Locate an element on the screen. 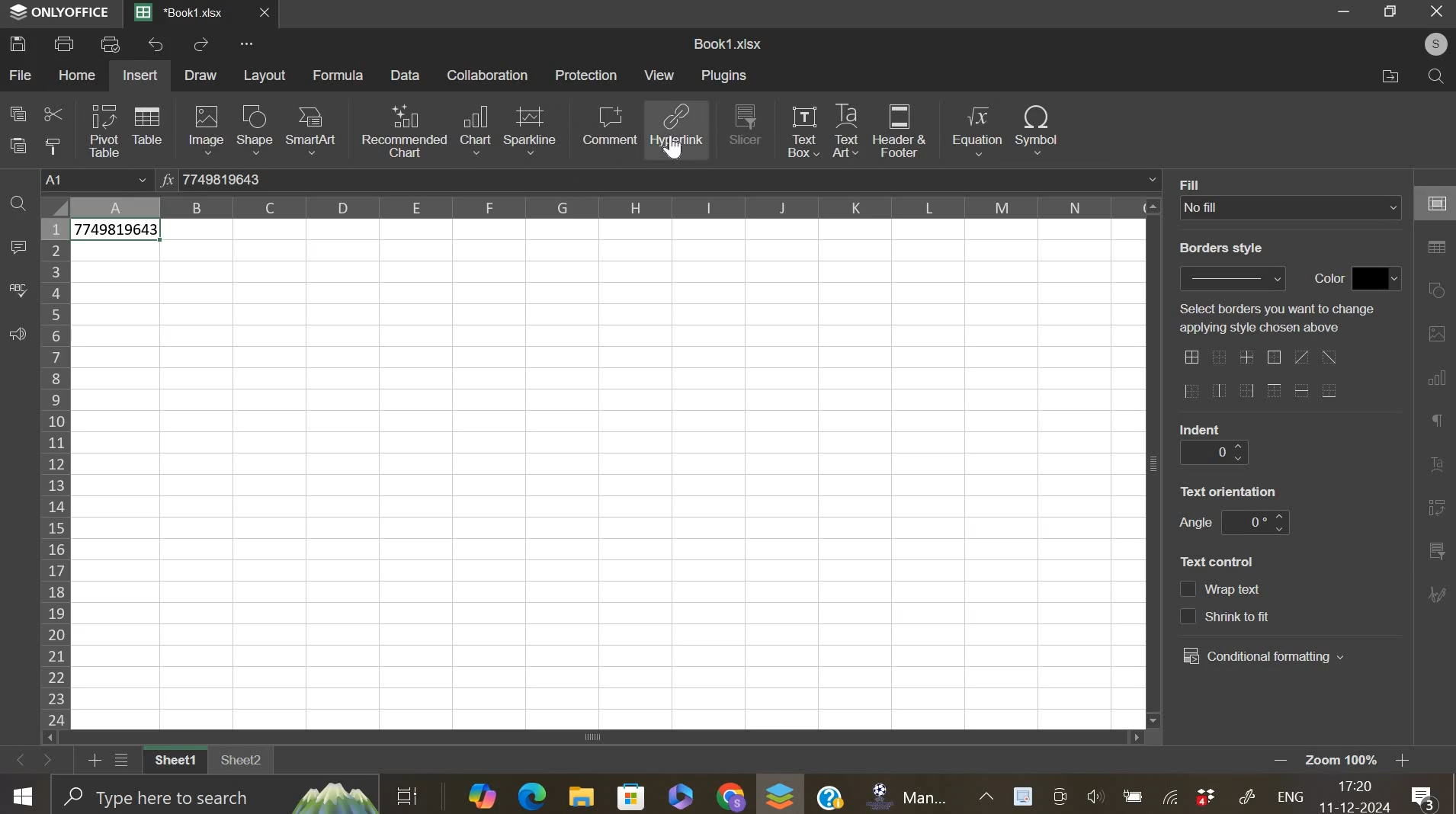 This screenshot has width=1456, height=814. save is located at coordinates (18, 43).